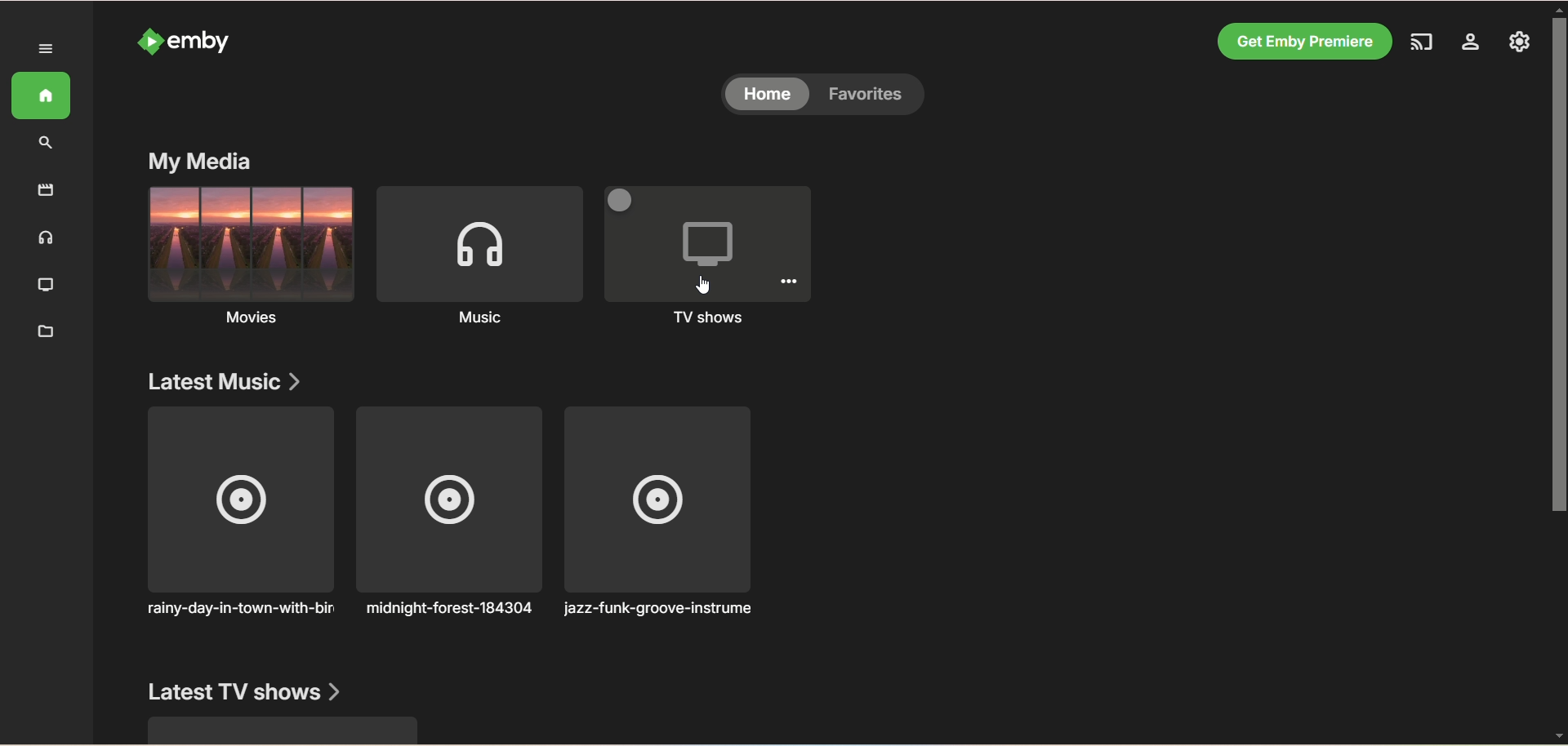 The height and width of the screenshot is (746, 1568). What do you see at coordinates (1428, 44) in the screenshot?
I see `play on another device` at bounding box center [1428, 44].